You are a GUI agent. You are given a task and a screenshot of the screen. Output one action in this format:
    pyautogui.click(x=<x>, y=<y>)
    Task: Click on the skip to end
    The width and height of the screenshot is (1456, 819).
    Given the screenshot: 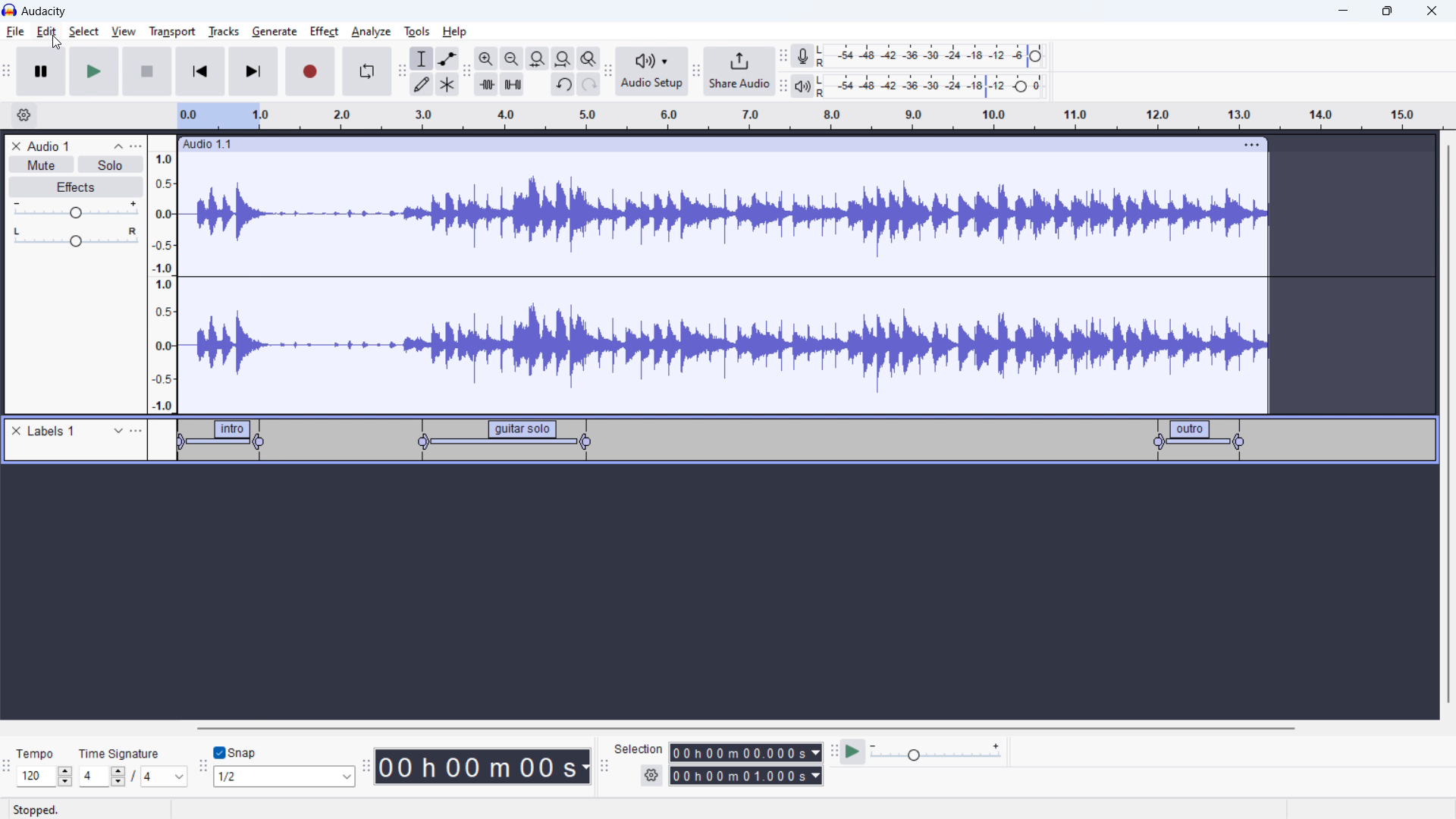 What is the action you would take?
    pyautogui.click(x=254, y=71)
    